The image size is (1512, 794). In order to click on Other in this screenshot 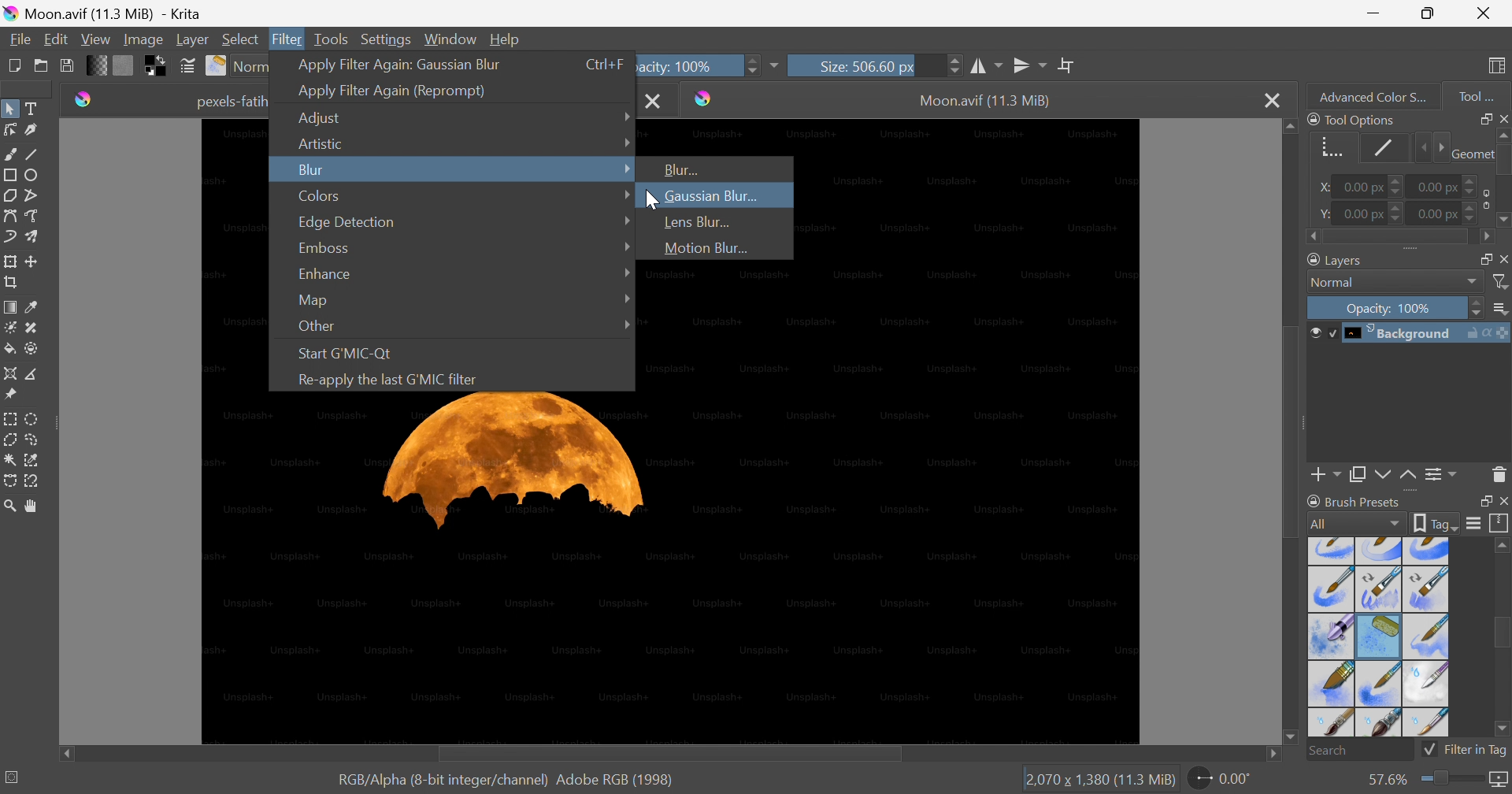, I will do `click(317, 325)`.